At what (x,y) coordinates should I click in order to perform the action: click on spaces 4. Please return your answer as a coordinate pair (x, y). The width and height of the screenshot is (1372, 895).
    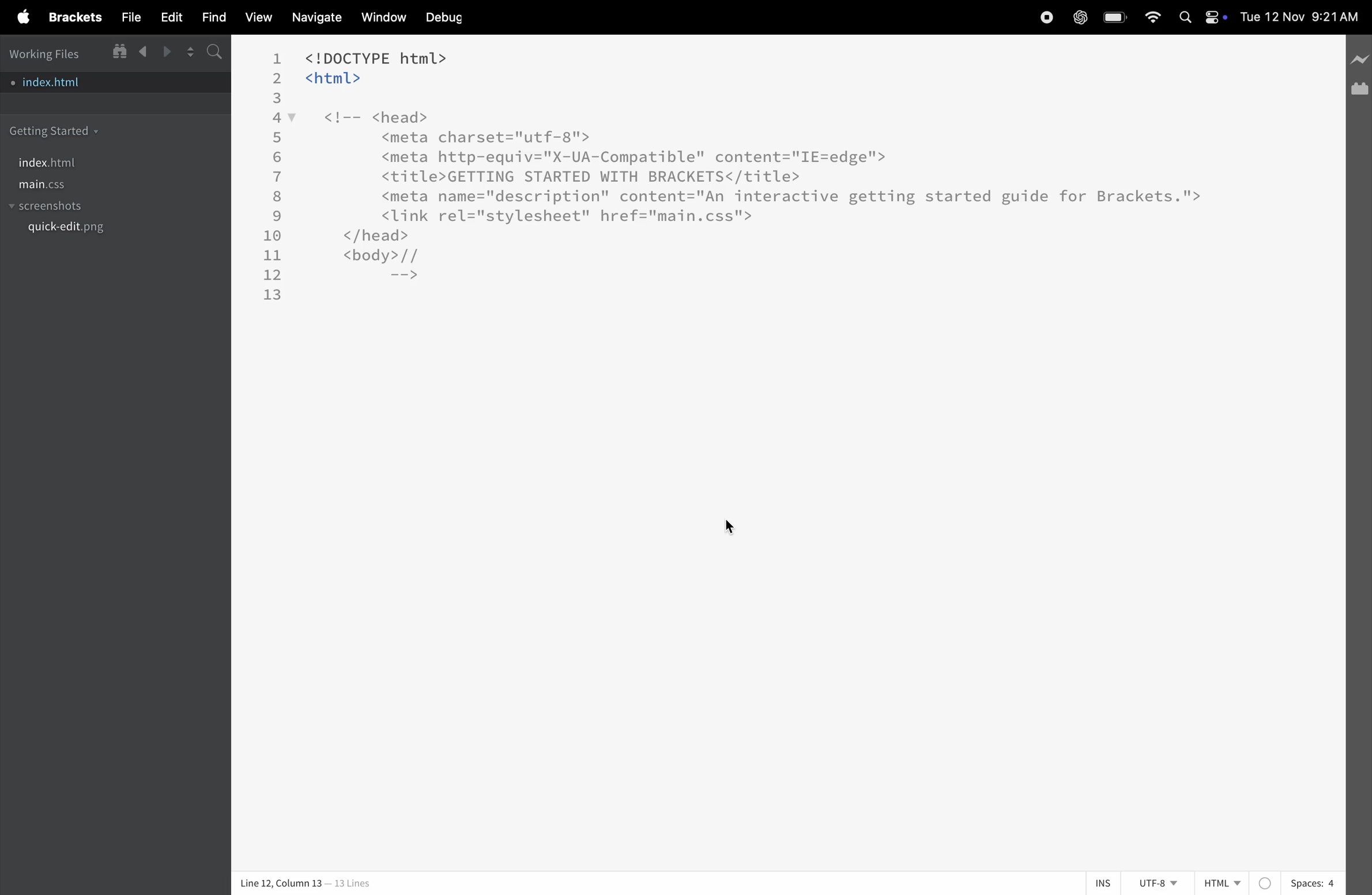
    Looking at the image, I should click on (1312, 883).